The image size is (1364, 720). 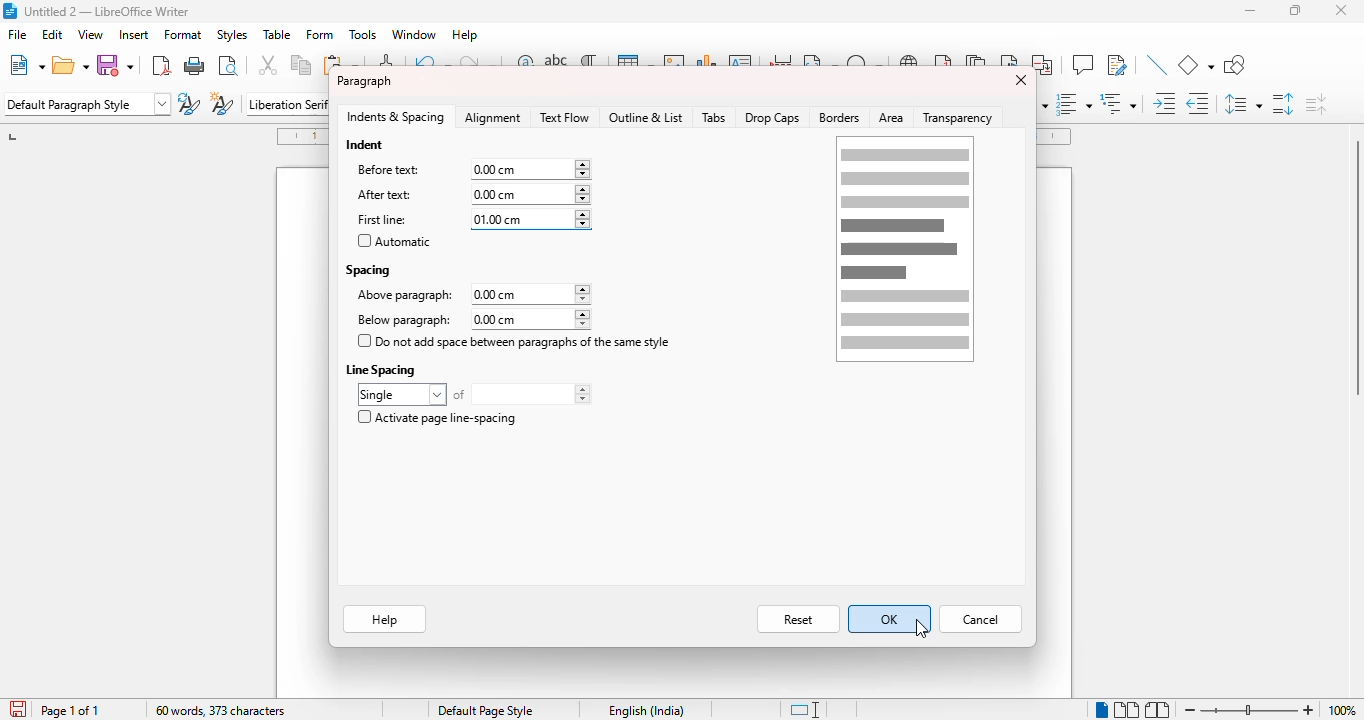 I want to click on outline & list, so click(x=646, y=117).